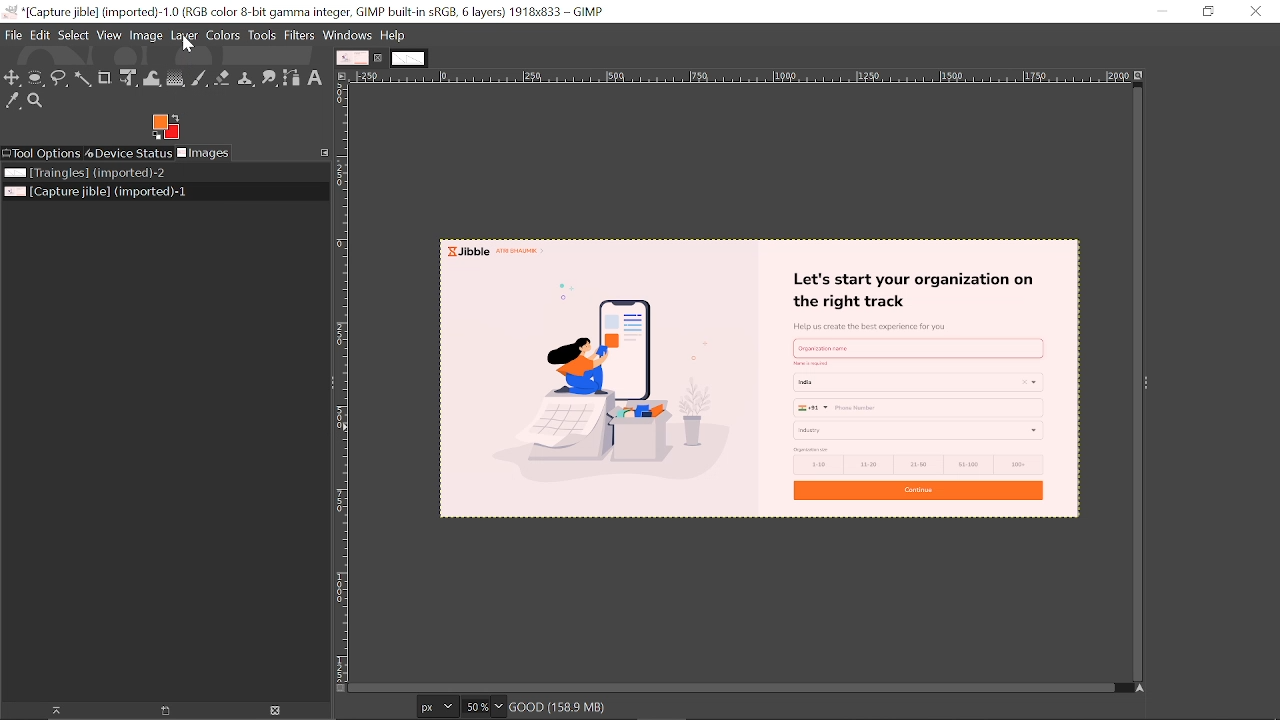 The image size is (1280, 720). Describe the element at coordinates (13, 35) in the screenshot. I see `File` at that location.